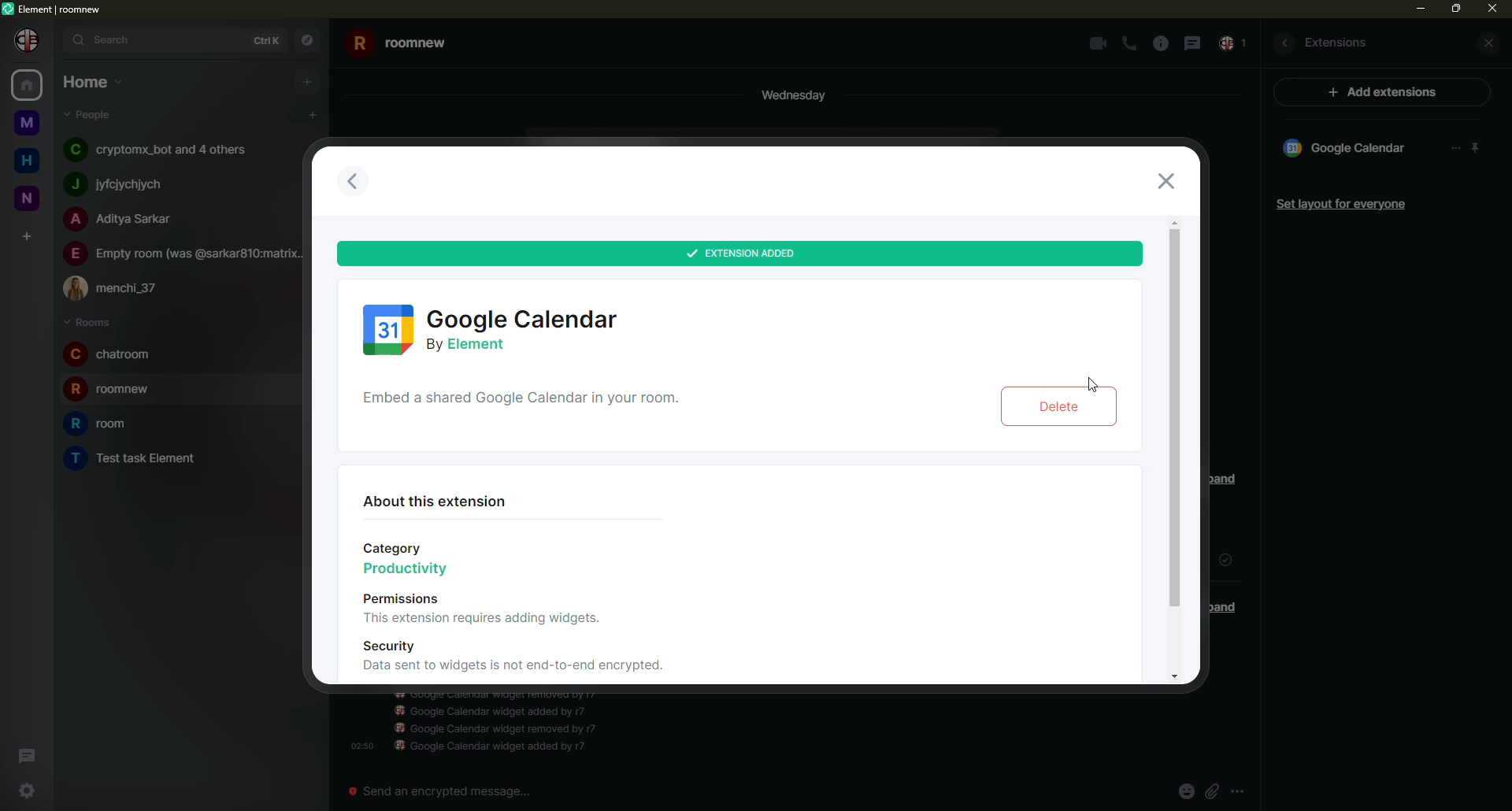  Describe the element at coordinates (27, 85) in the screenshot. I see `home` at that location.